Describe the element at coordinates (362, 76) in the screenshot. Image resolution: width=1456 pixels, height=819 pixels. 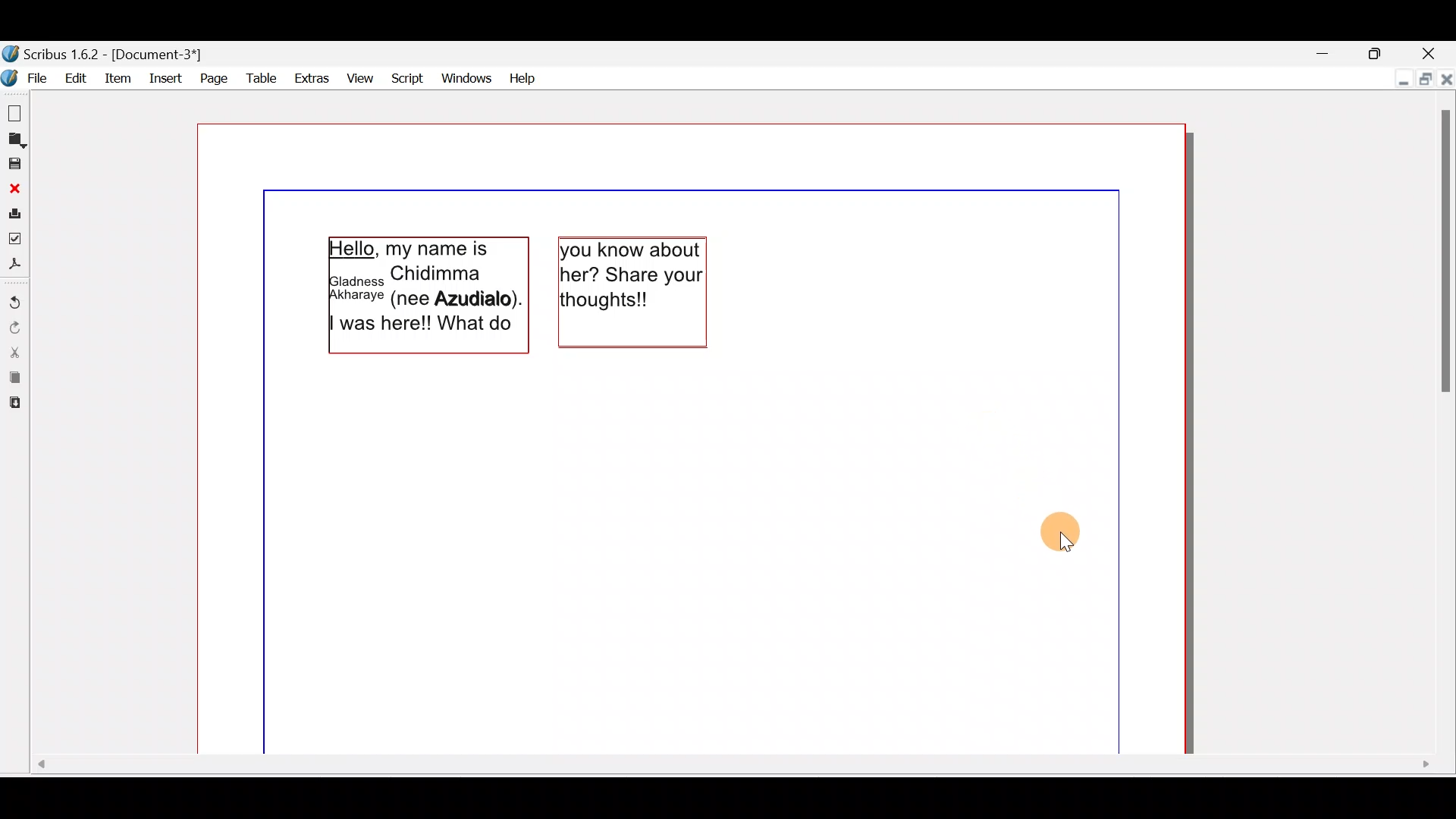
I see `View` at that location.